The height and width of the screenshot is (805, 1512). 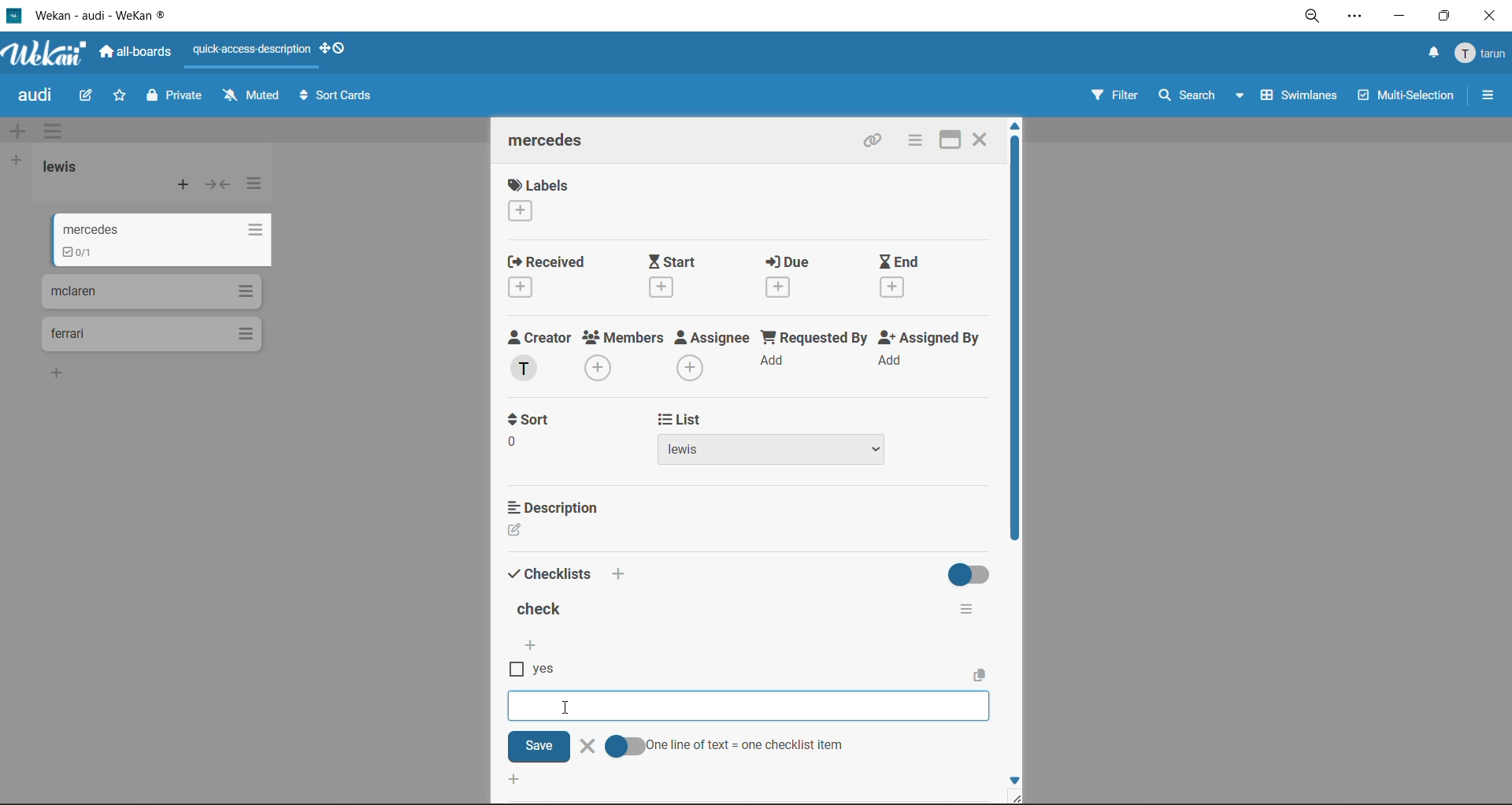 What do you see at coordinates (258, 184) in the screenshot?
I see `list actions` at bounding box center [258, 184].